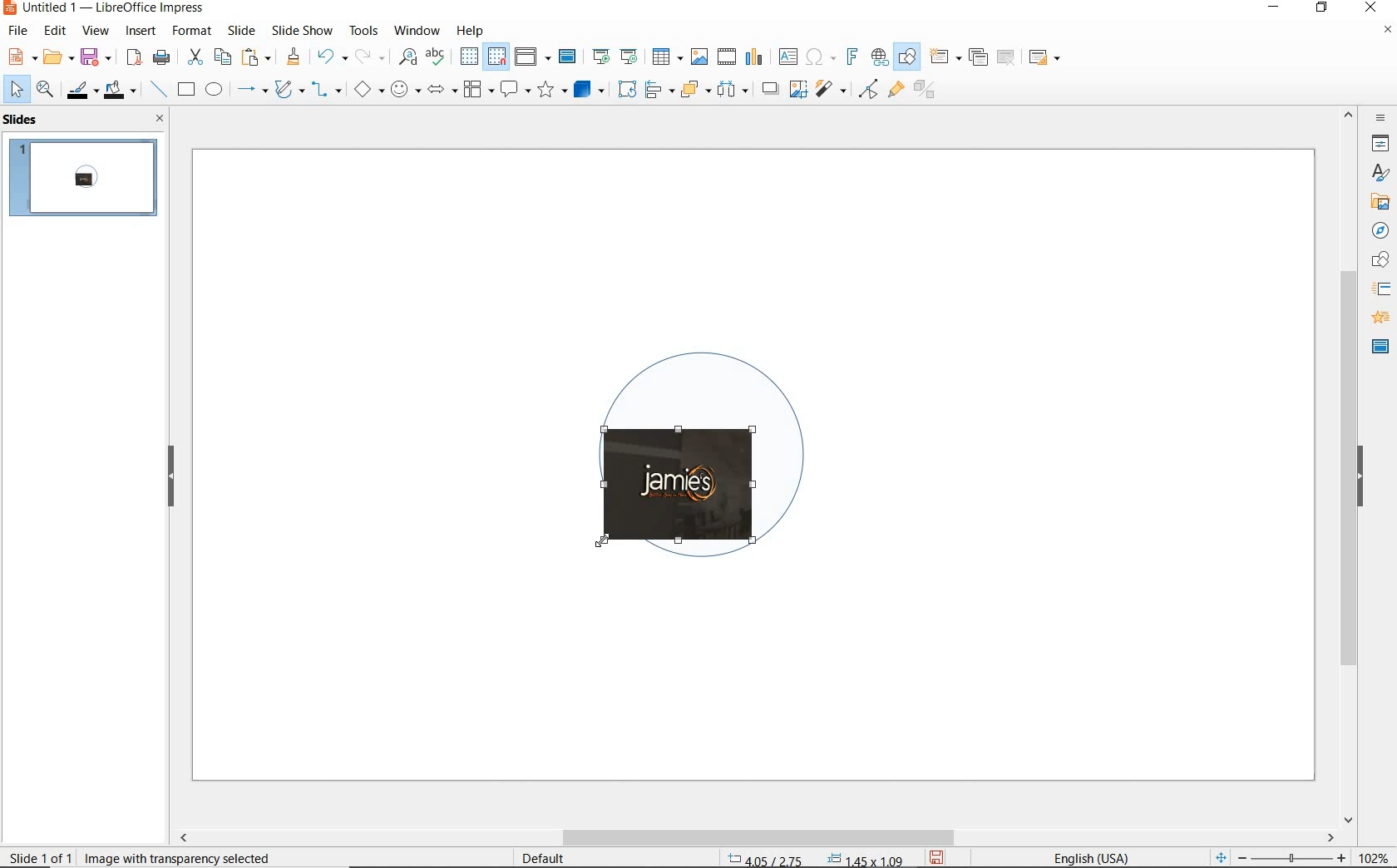  I want to click on toggle extrusion, so click(929, 91).